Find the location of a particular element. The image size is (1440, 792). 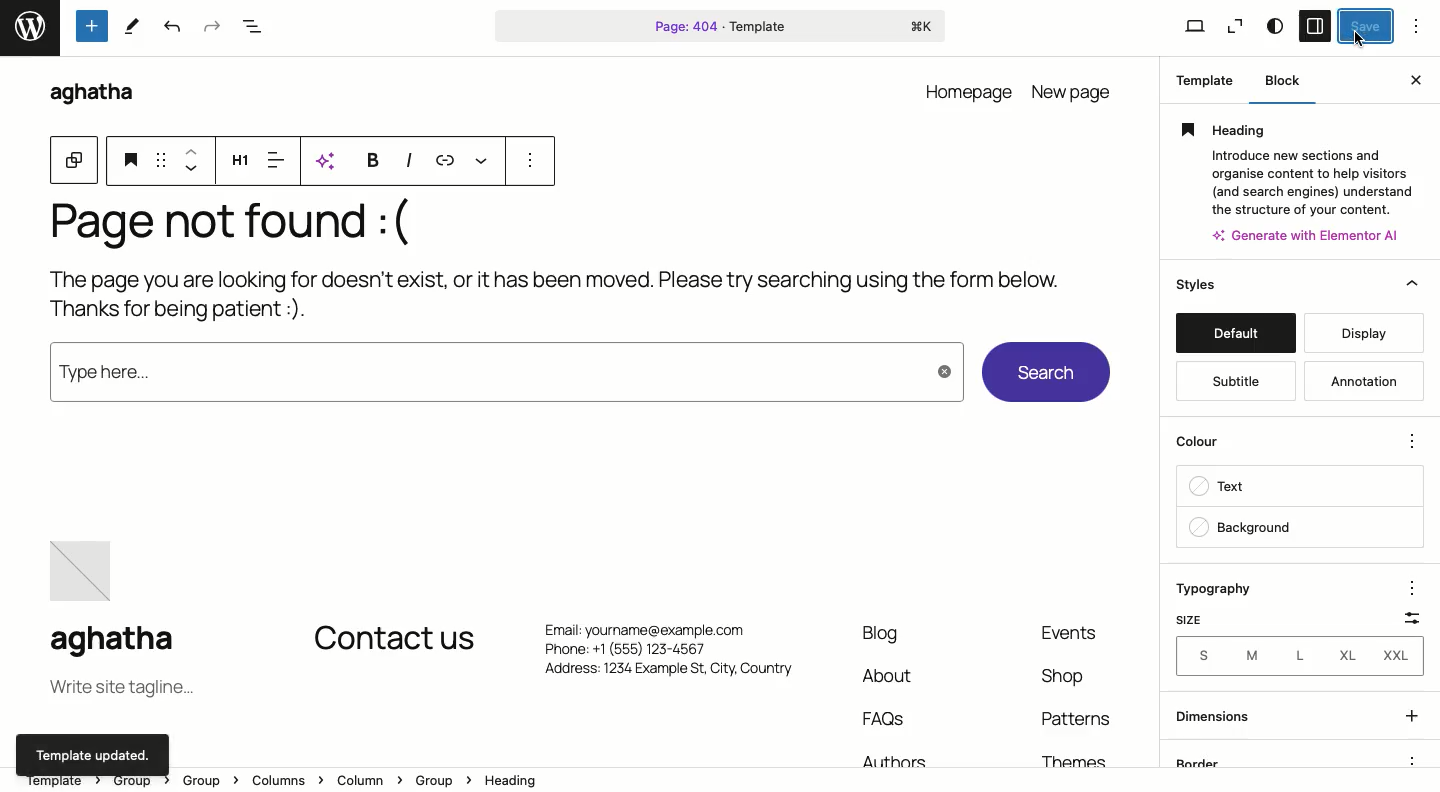

Drag is located at coordinates (161, 159).